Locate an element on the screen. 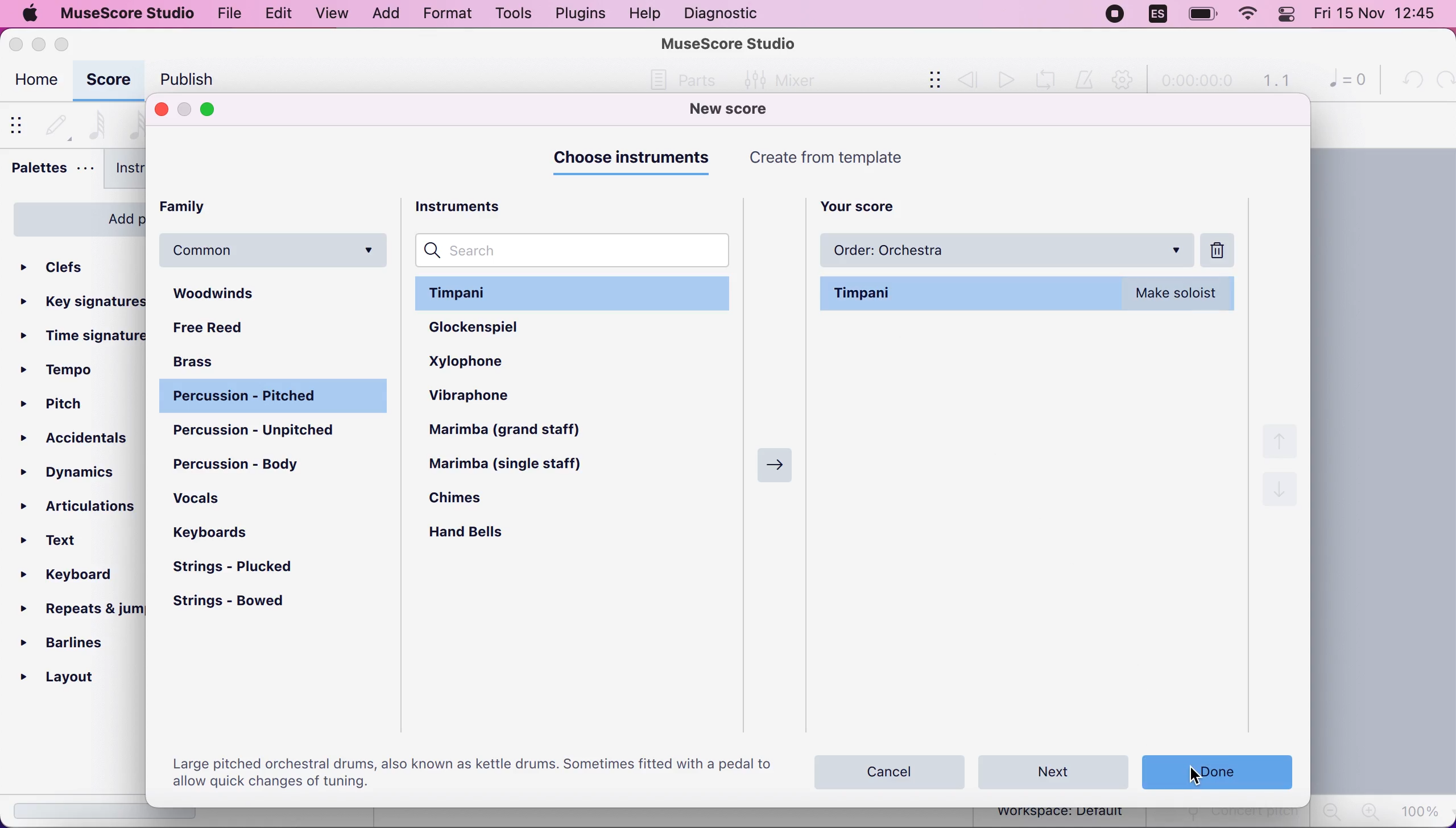 This screenshot has width=1456, height=828. layout is located at coordinates (76, 677).